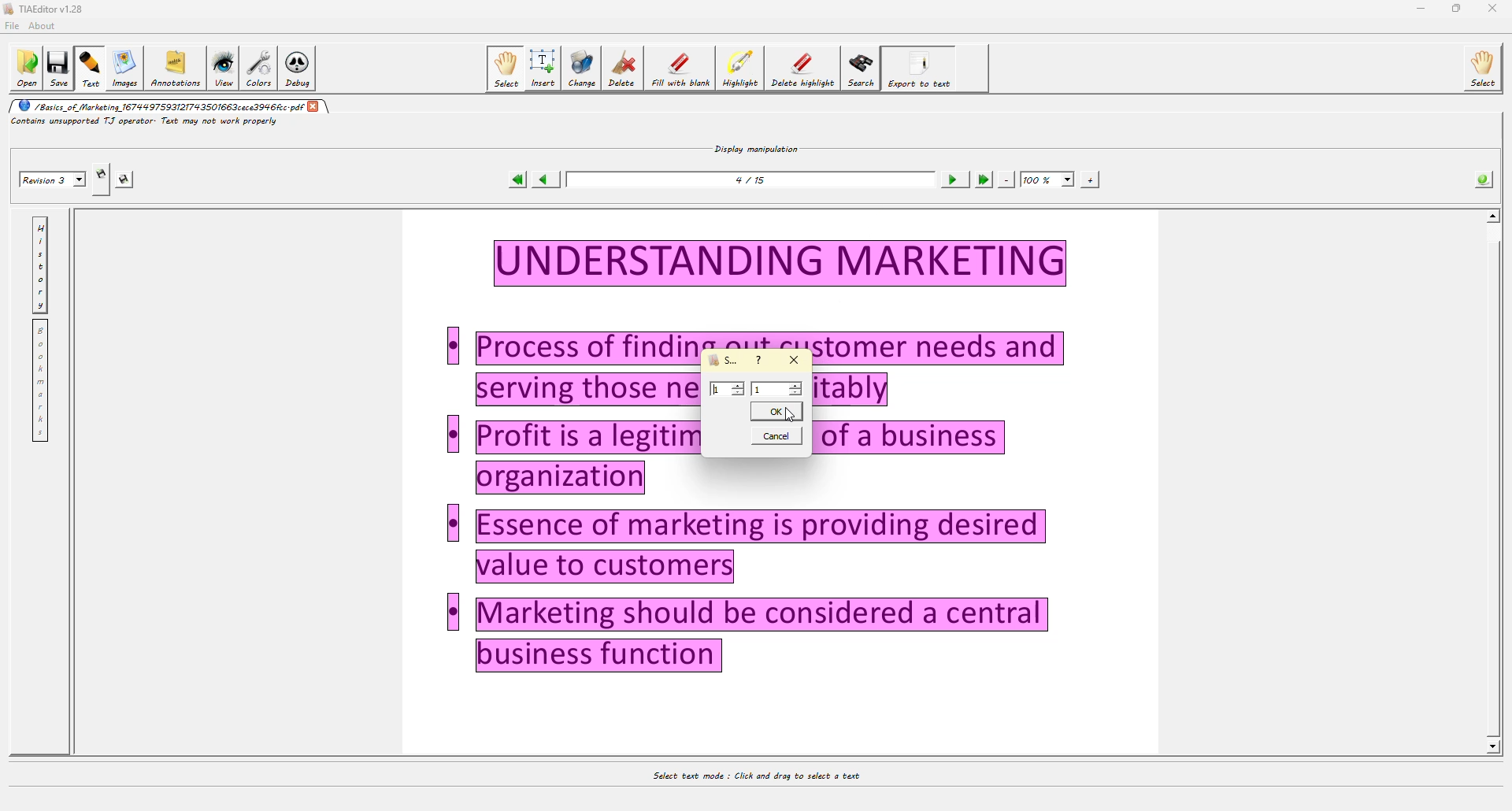 The width and height of the screenshot is (1512, 811). Describe the element at coordinates (124, 69) in the screenshot. I see `images` at that location.